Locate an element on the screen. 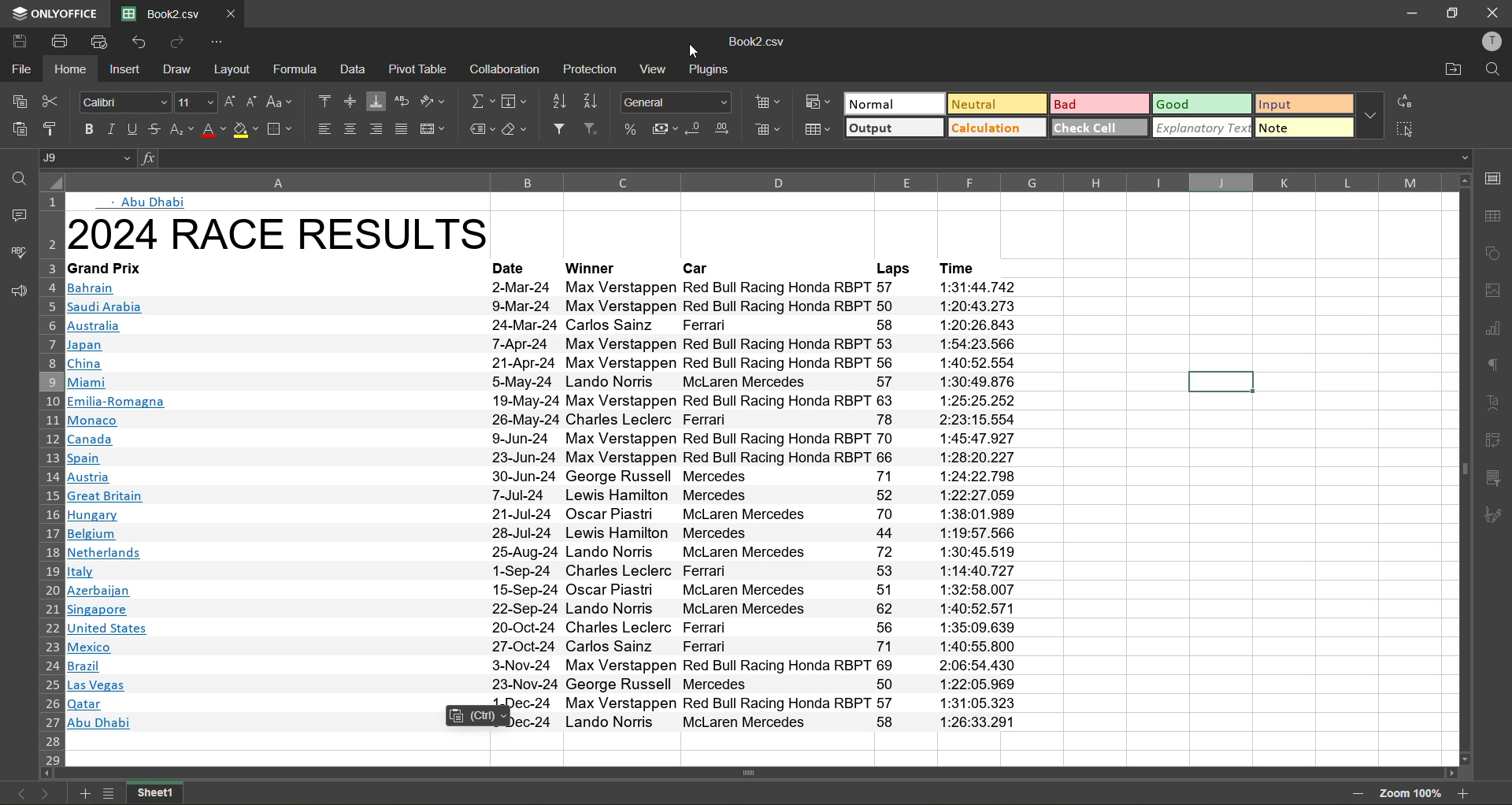  text info is located at coordinates (543, 591).